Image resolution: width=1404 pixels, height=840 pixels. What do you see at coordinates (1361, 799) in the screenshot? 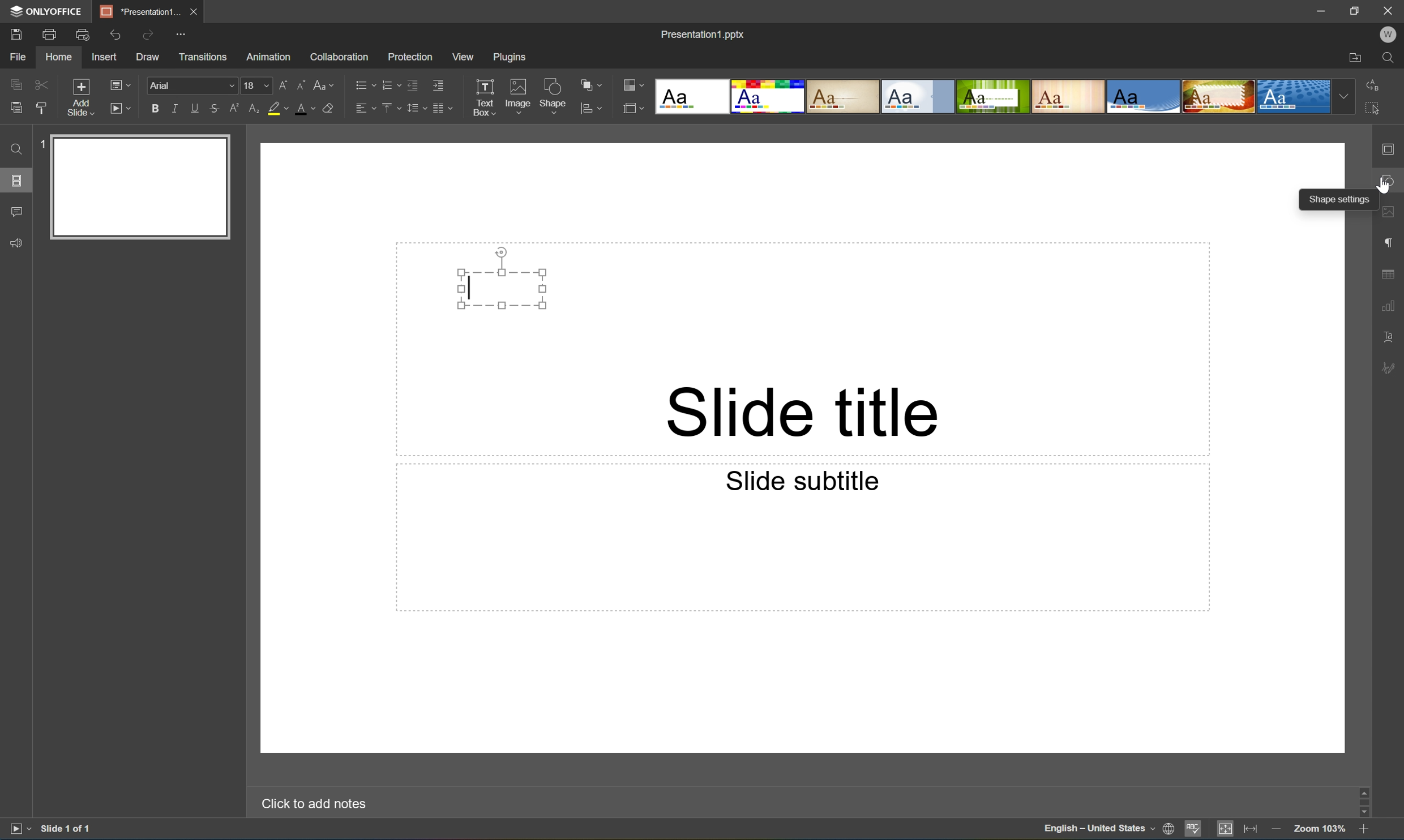
I see `Scroll Bar` at bounding box center [1361, 799].